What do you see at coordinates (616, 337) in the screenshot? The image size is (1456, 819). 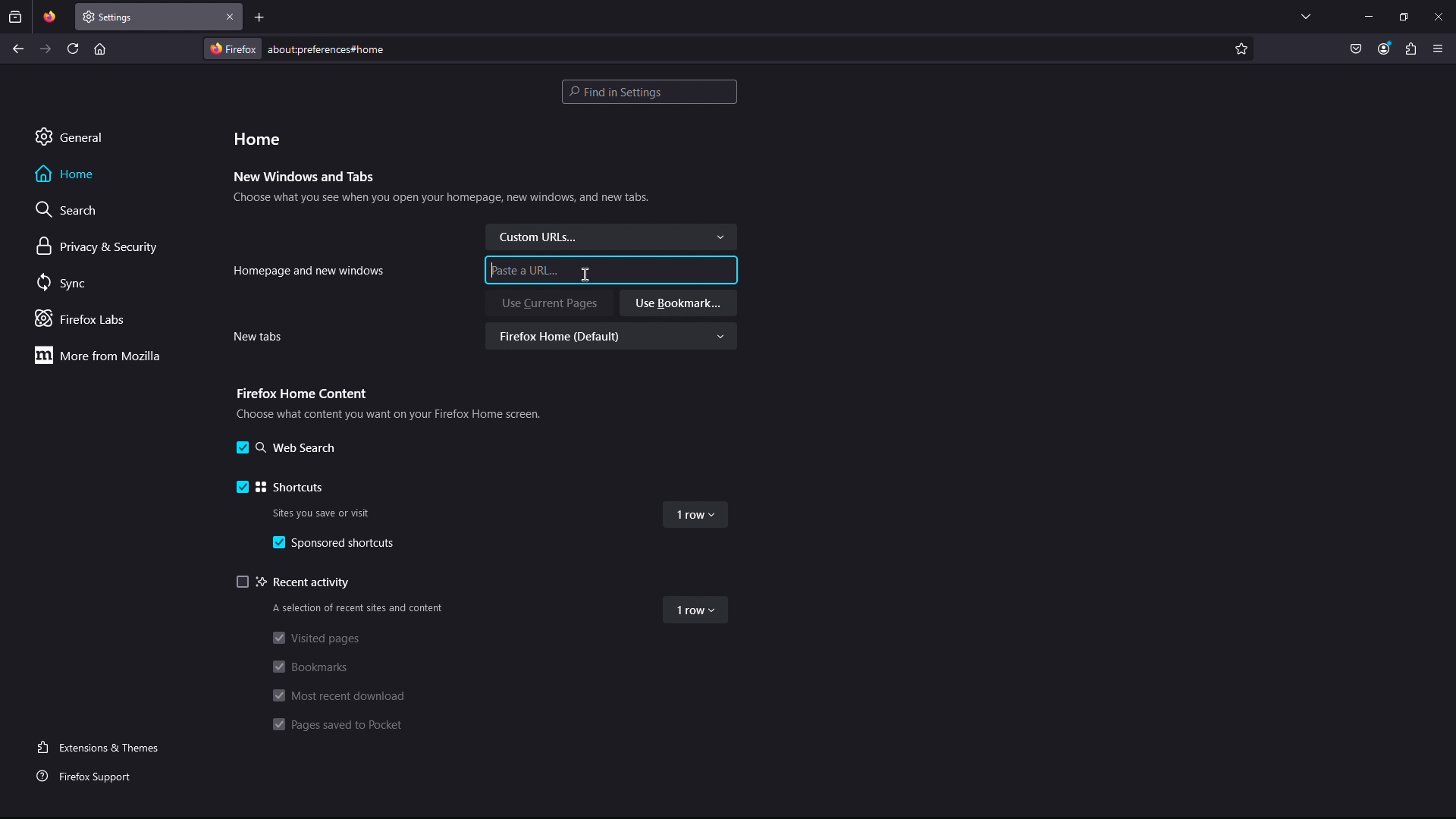 I see `Firefox Home` at bounding box center [616, 337].